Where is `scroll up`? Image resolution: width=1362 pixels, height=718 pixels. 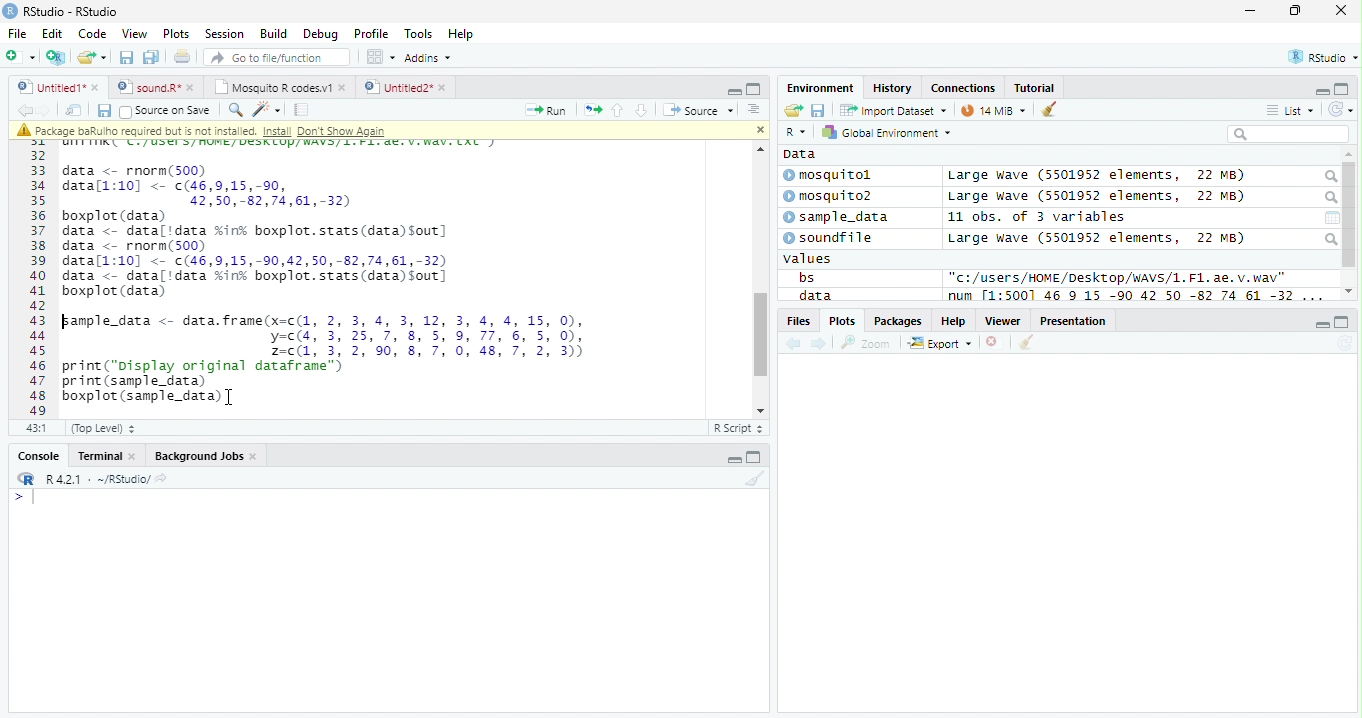 scroll up is located at coordinates (1349, 155).